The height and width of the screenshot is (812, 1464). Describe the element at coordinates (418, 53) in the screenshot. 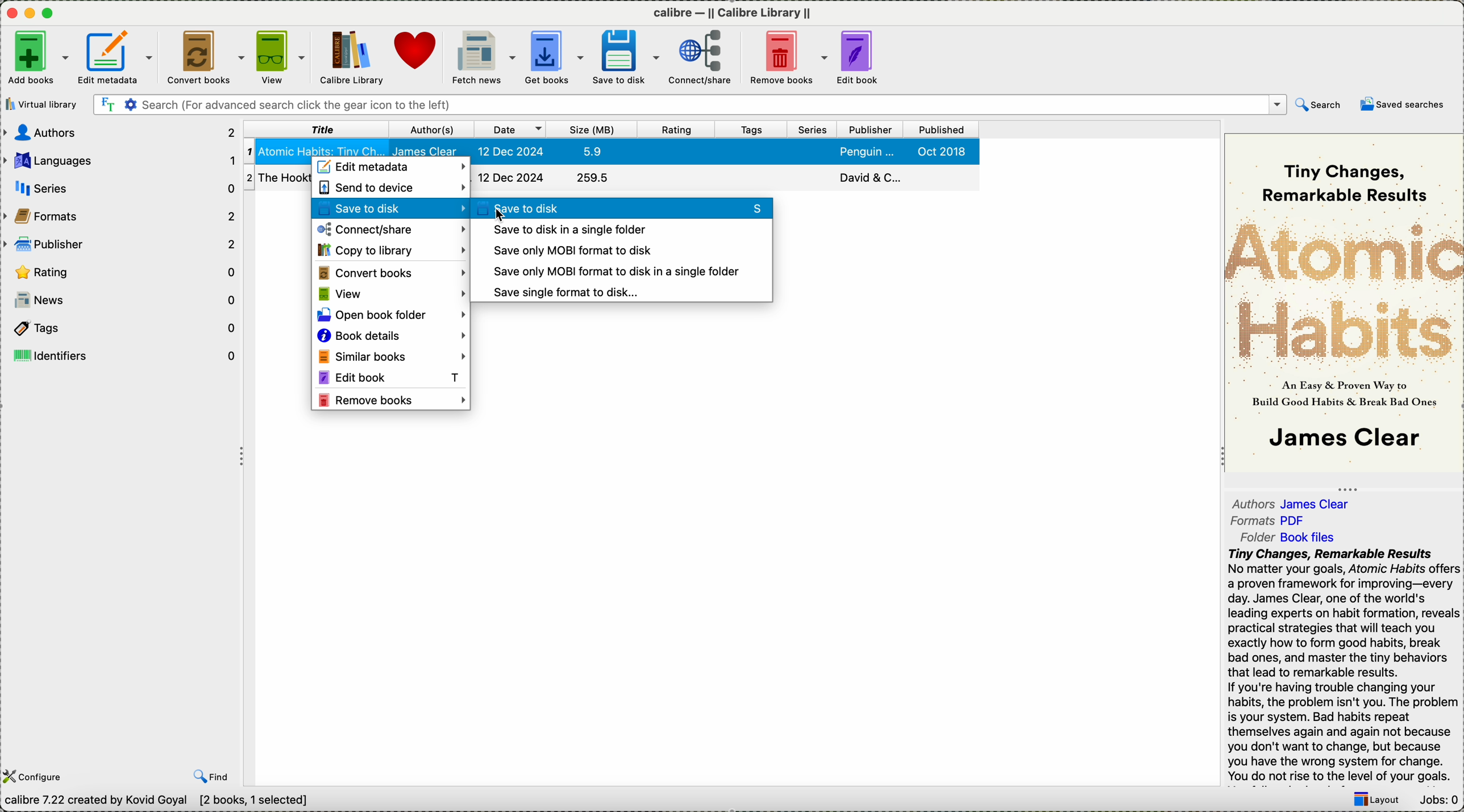

I see `donate` at that location.